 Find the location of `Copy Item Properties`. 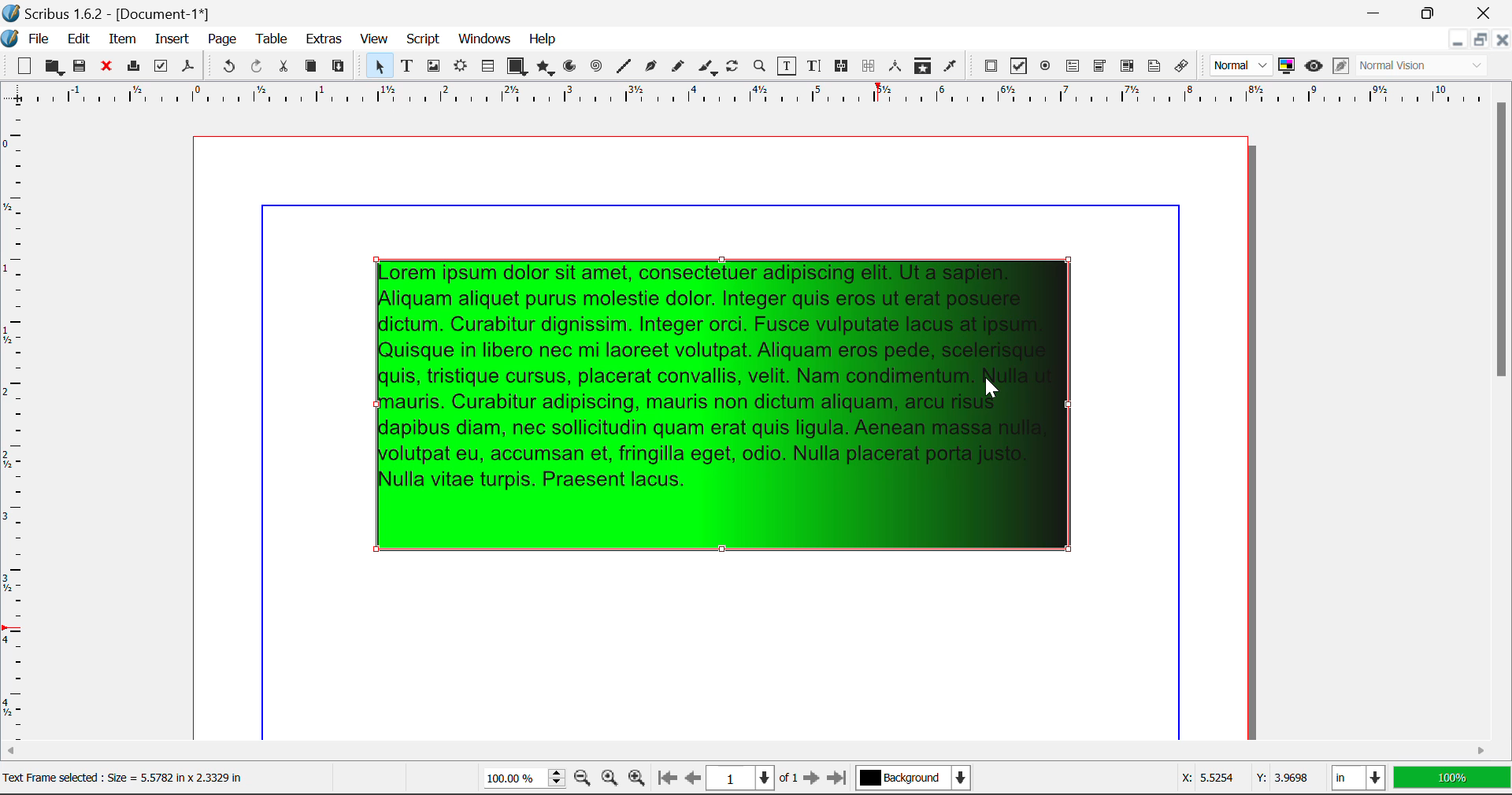

Copy Item Properties is located at coordinates (922, 68).